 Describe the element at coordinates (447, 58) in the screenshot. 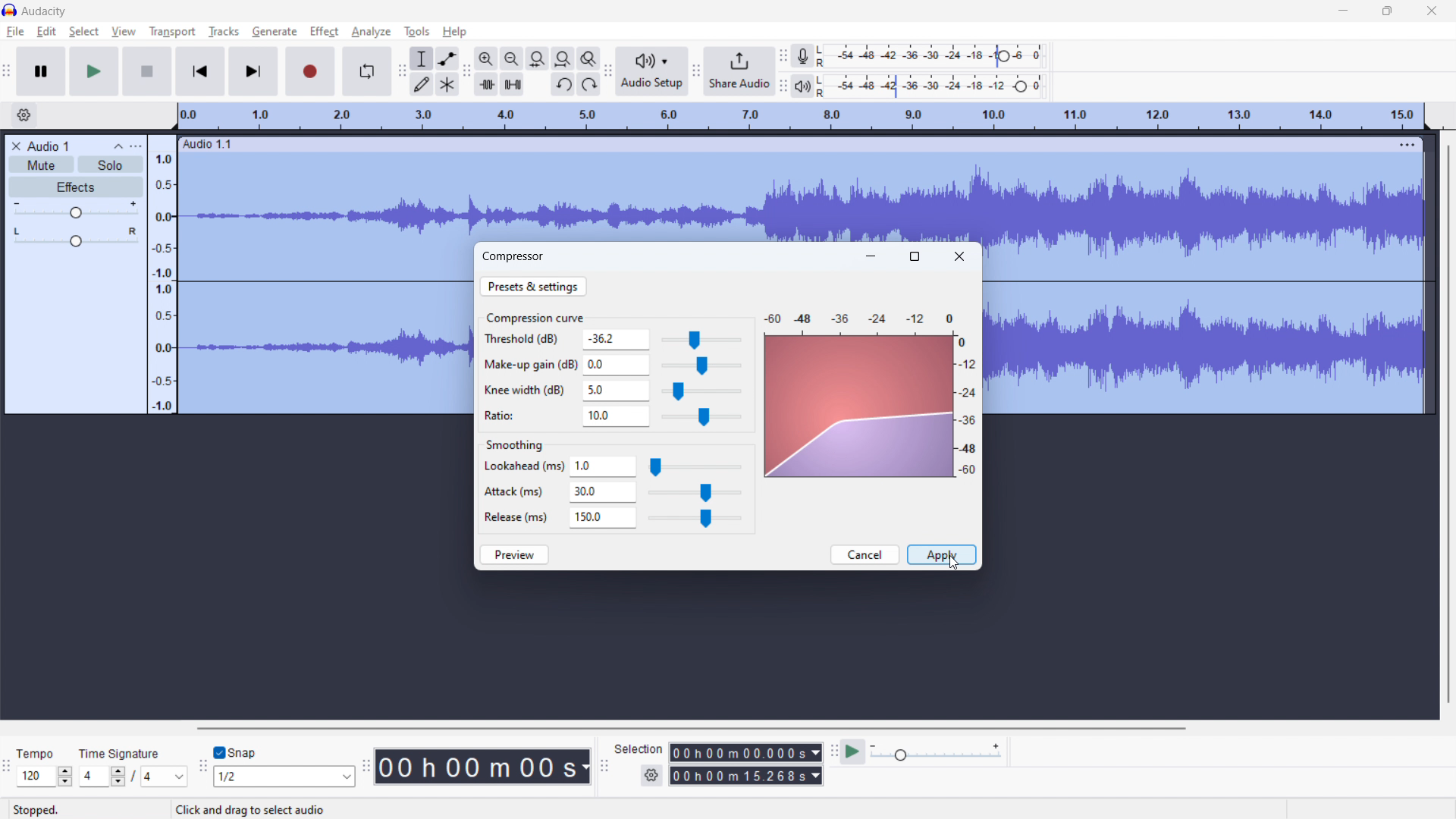

I see `envelop tool` at that location.